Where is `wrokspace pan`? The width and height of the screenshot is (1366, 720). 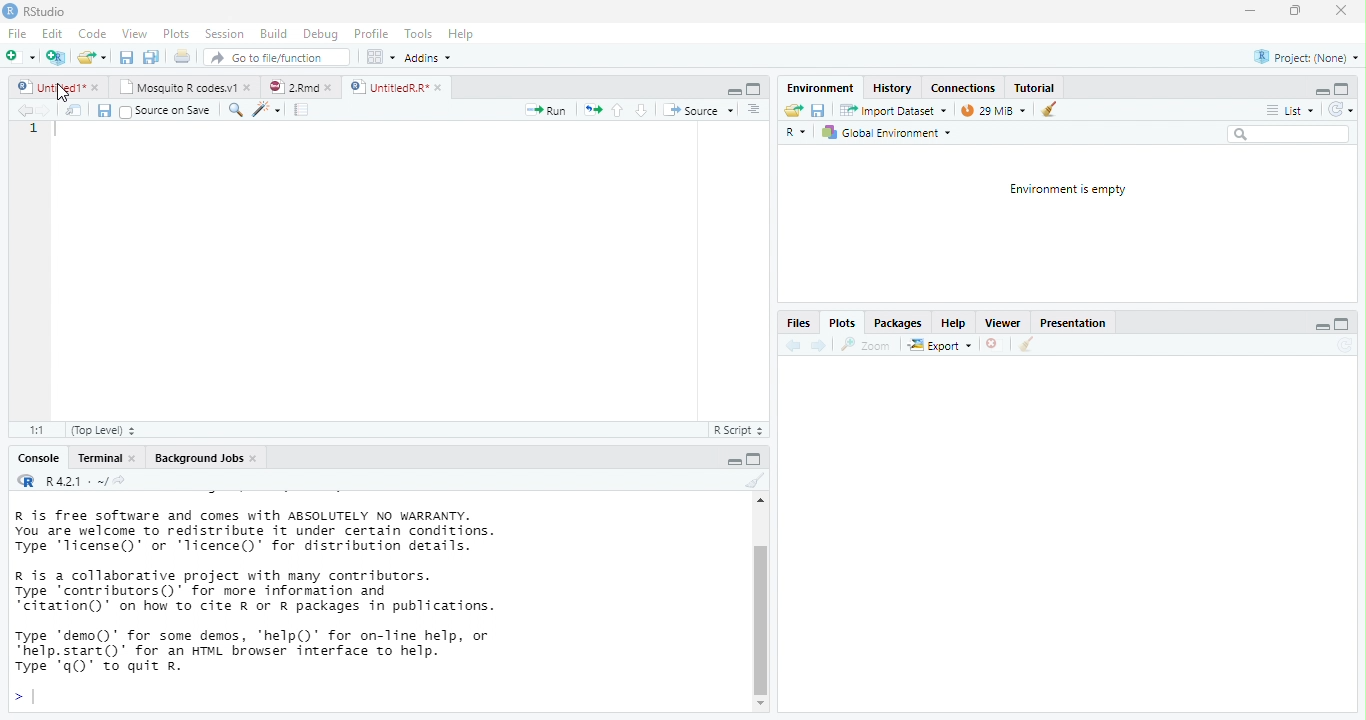 wrokspace pan is located at coordinates (379, 57).